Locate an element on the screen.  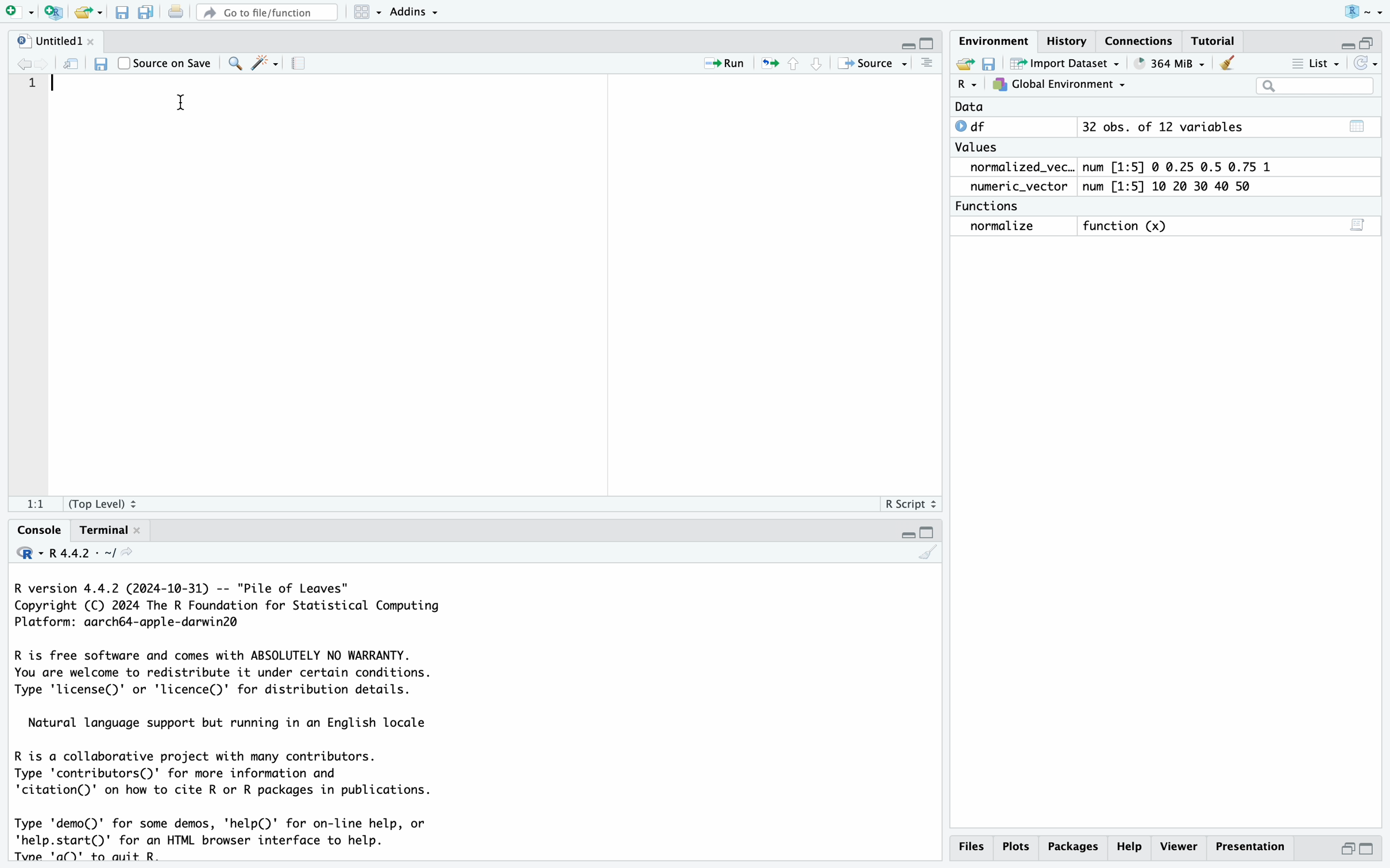
Global Environment is located at coordinates (1060, 85).